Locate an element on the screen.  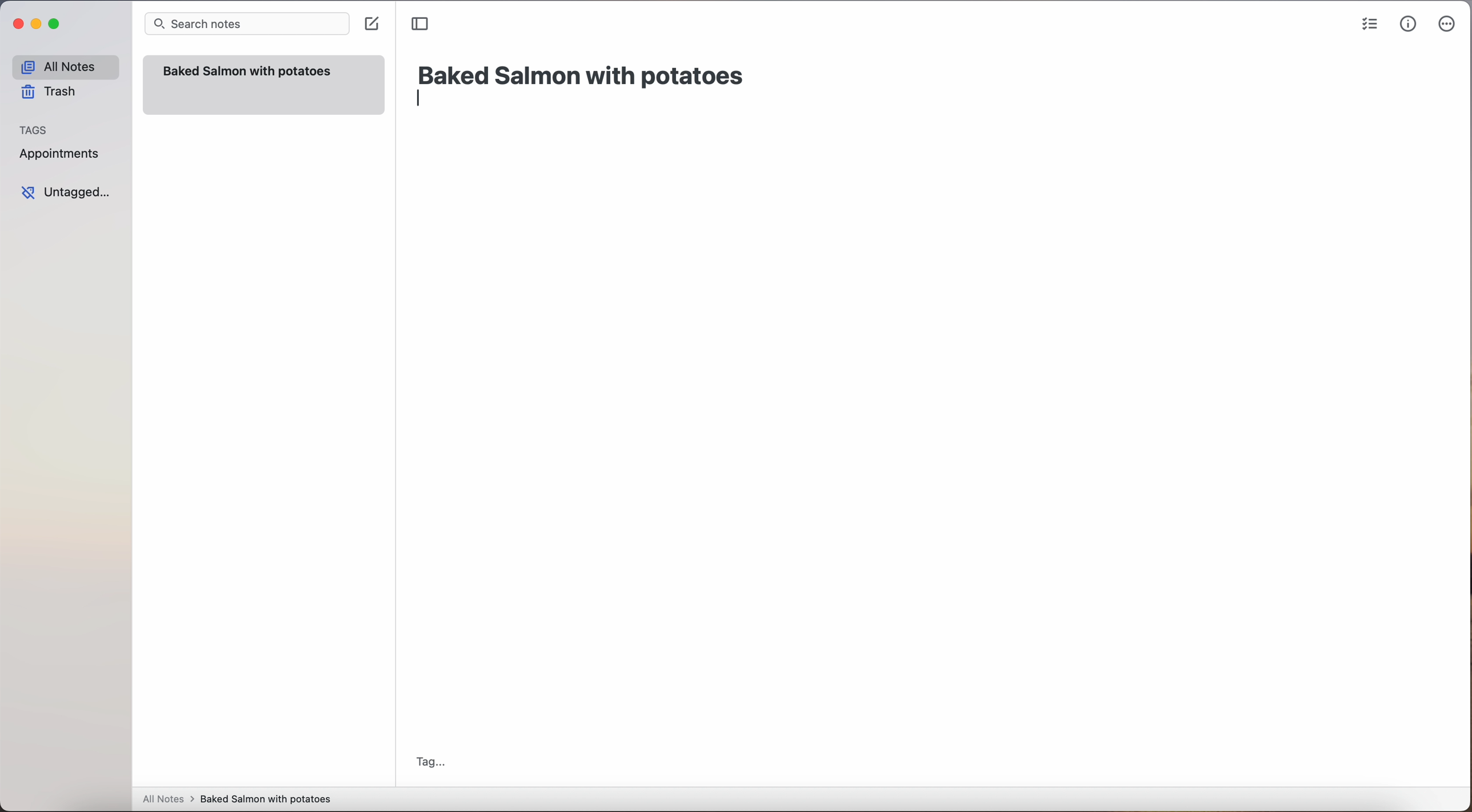
check list is located at coordinates (1369, 25).